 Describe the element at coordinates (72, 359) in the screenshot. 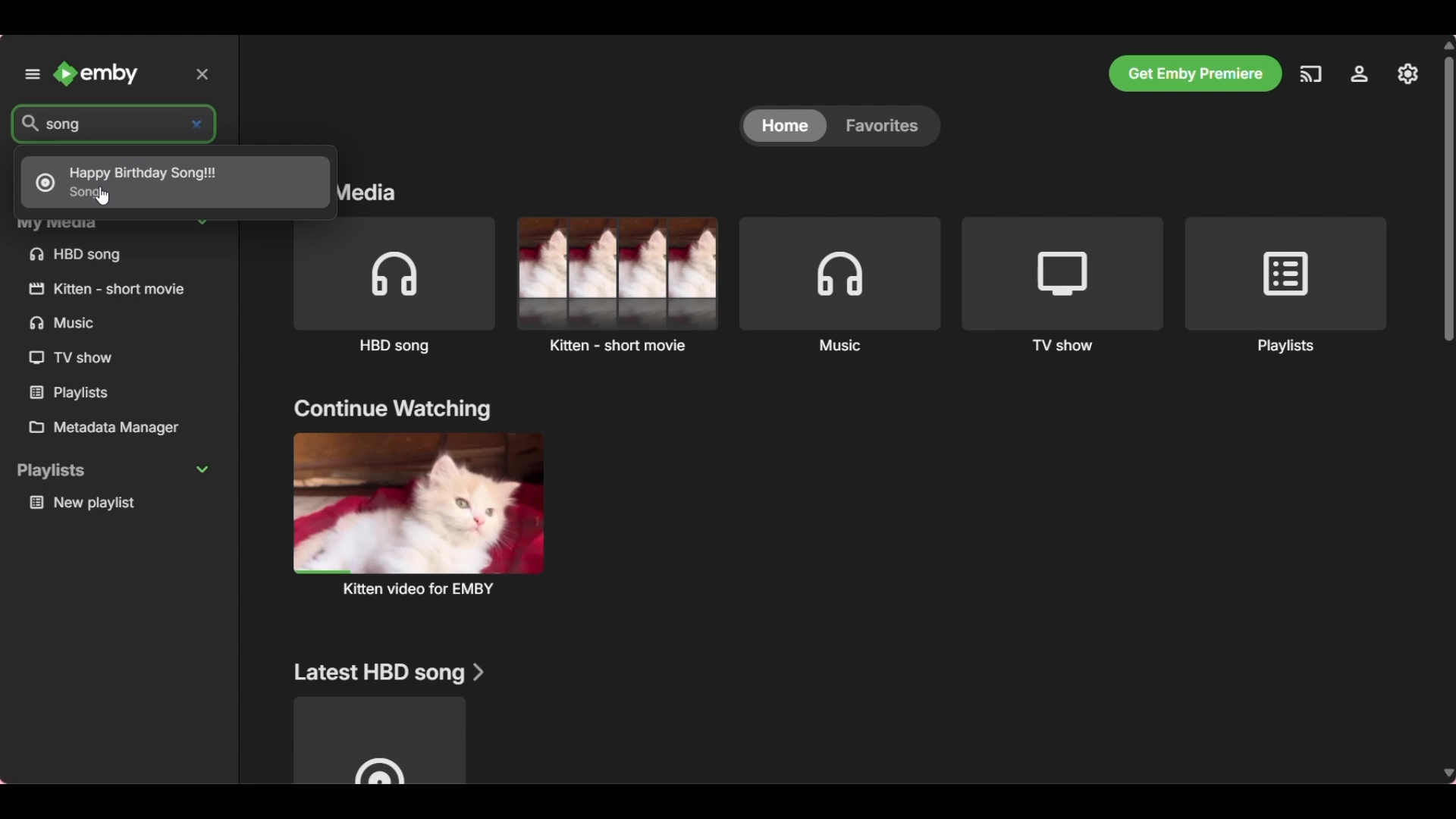

I see `TV show` at that location.